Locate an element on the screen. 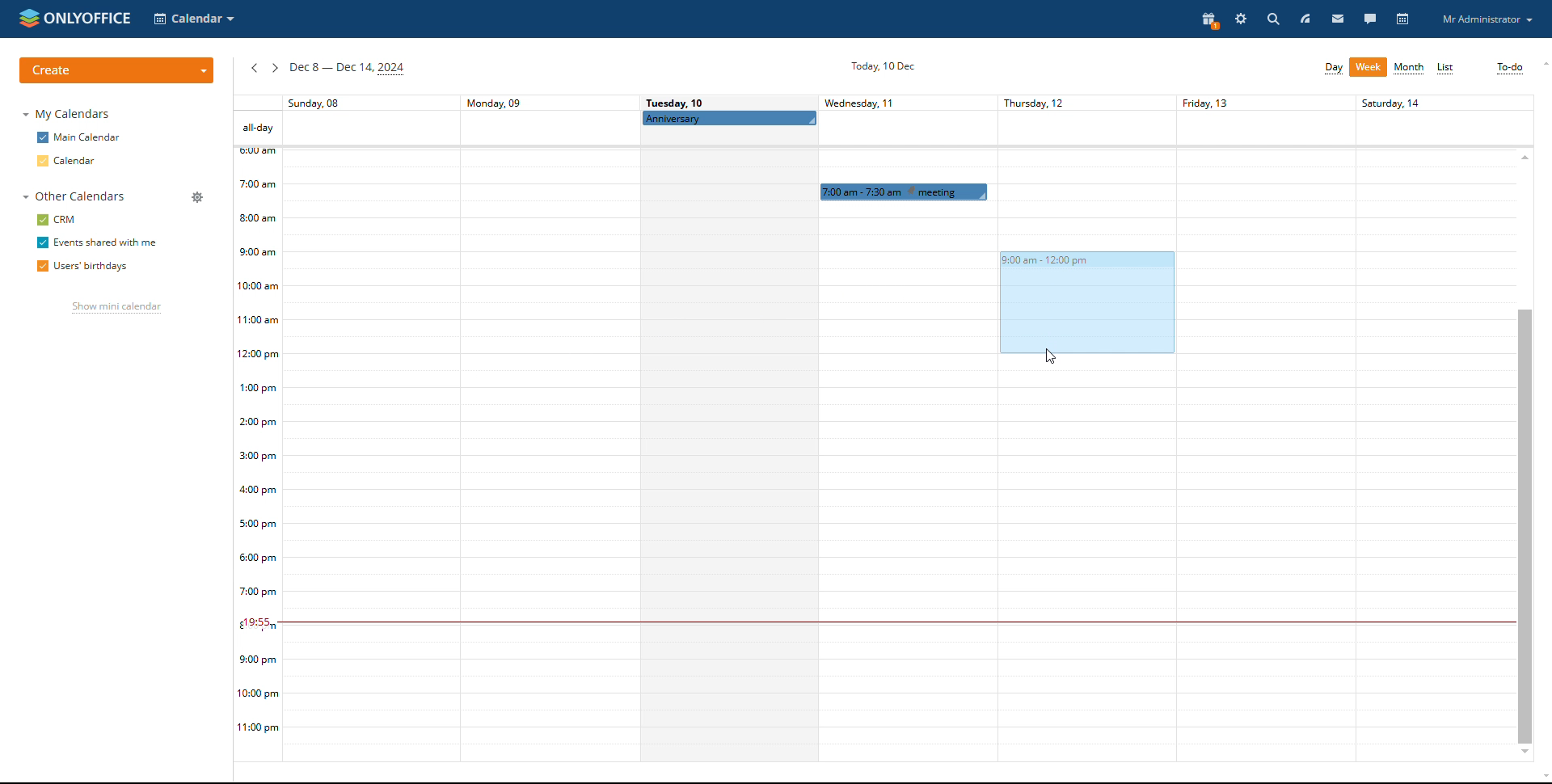  day view is located at coordinates (1333, 68).